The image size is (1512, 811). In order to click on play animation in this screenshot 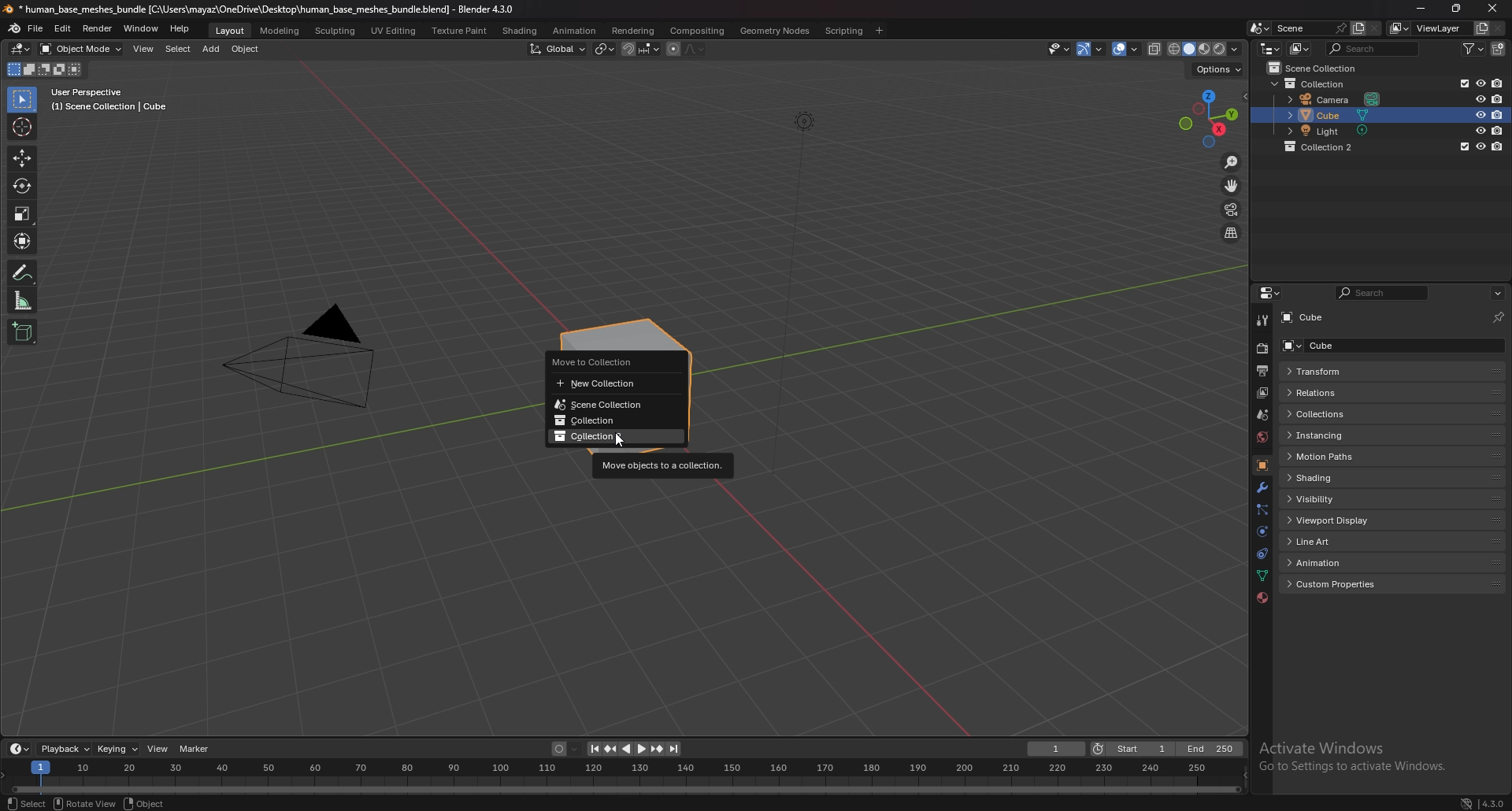, I will do `click(635, 749)`.